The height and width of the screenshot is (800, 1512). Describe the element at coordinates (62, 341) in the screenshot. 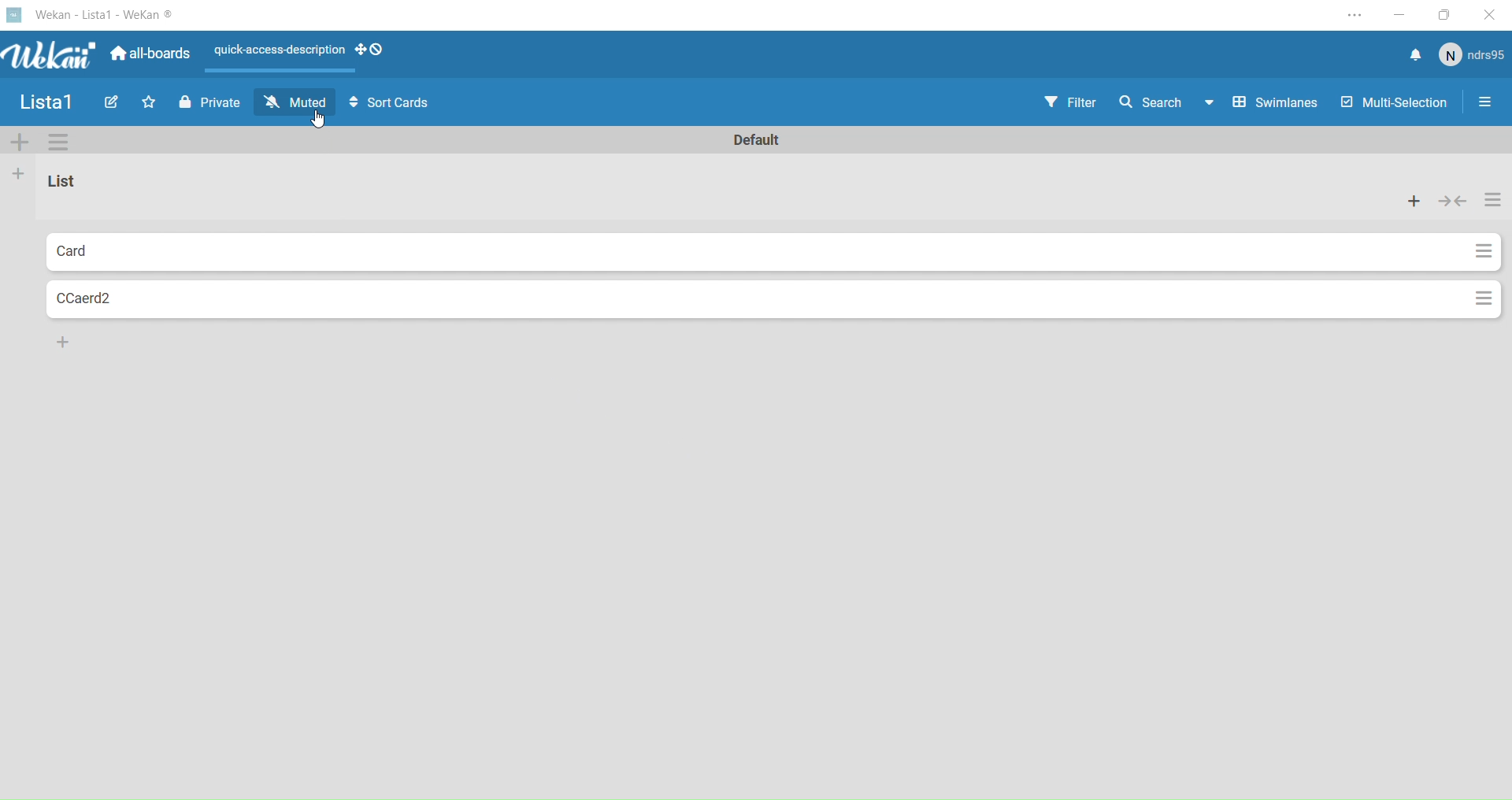

I see `Add` at that location.